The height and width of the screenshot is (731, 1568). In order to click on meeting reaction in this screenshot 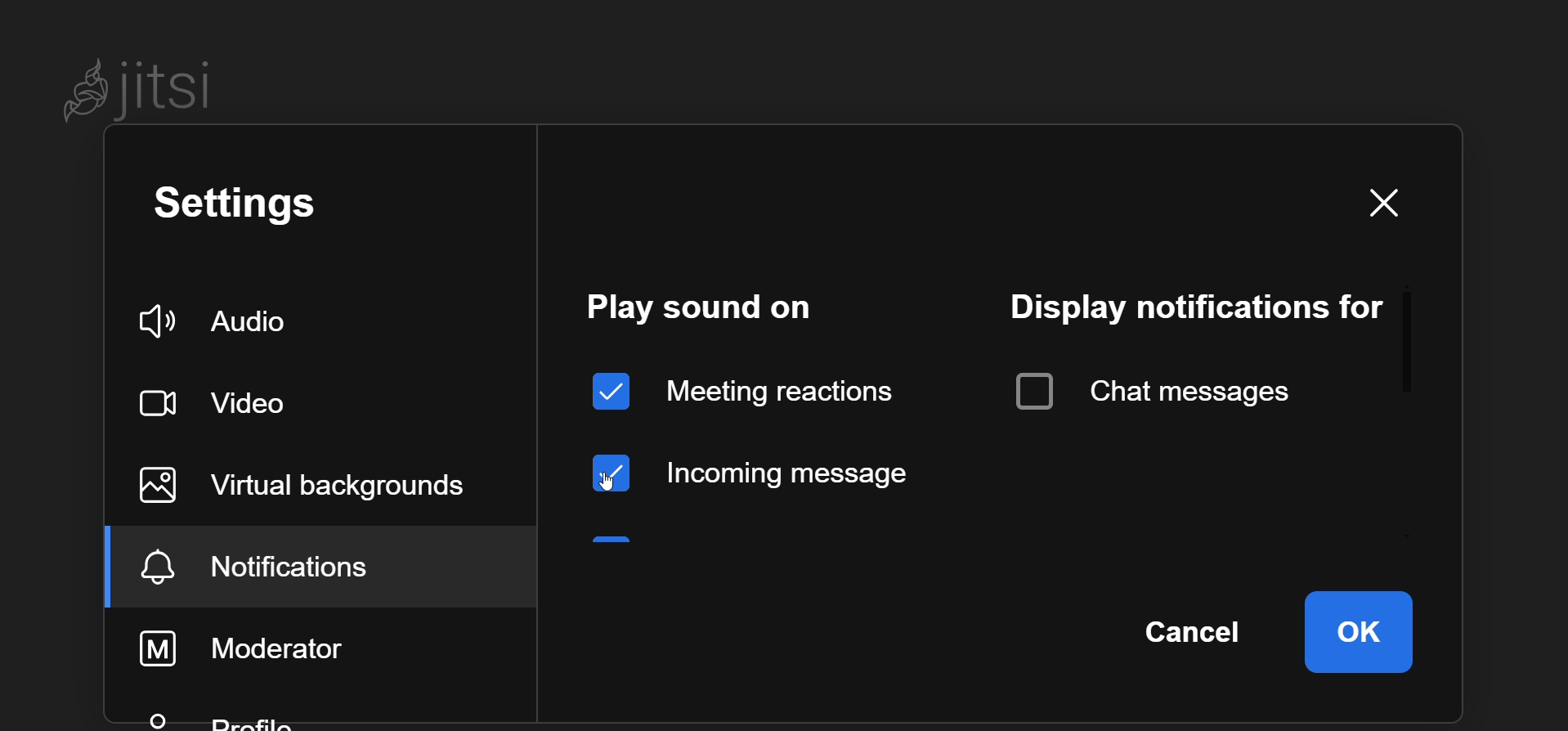, I will do `click(746, 388)`.